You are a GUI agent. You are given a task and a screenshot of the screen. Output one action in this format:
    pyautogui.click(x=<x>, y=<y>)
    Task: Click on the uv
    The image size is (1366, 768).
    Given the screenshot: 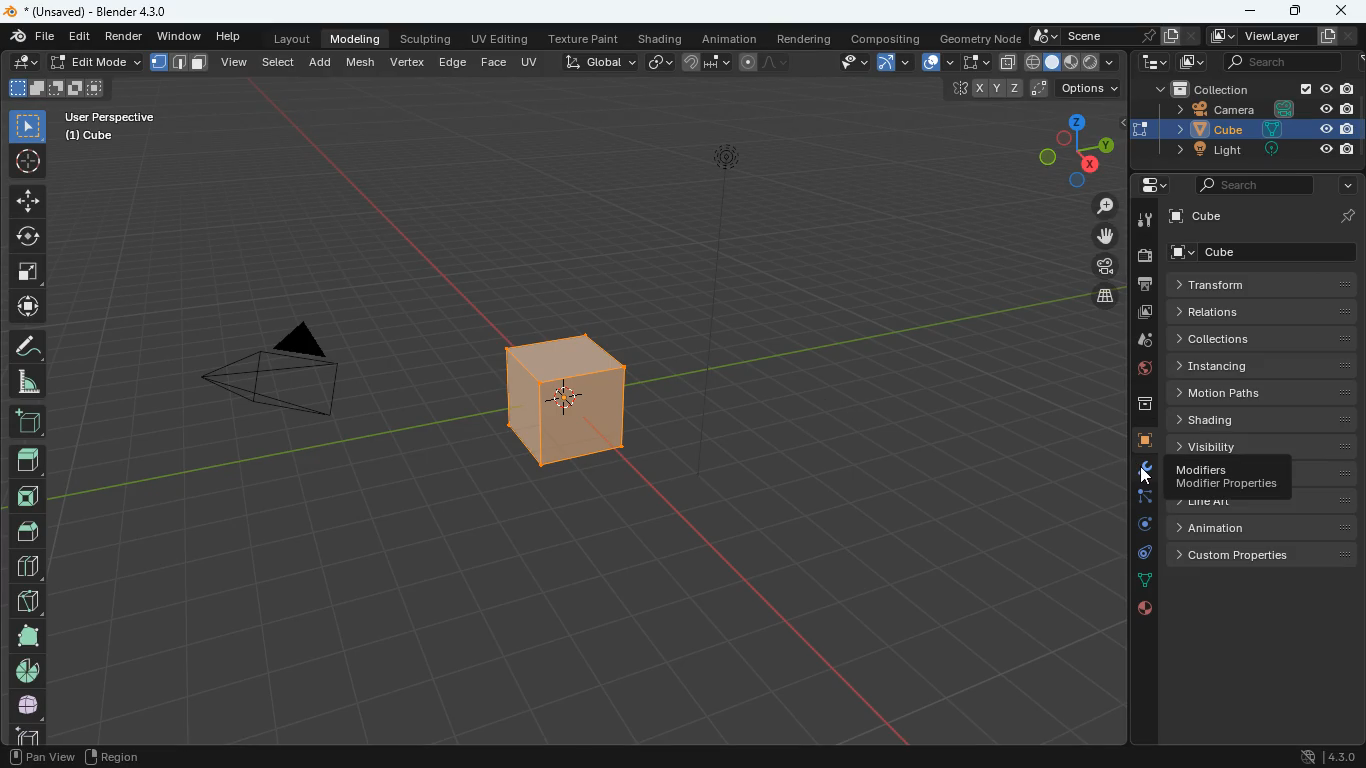 What is the action you would take?
    pyautogui.click(x=532, y=61)
    